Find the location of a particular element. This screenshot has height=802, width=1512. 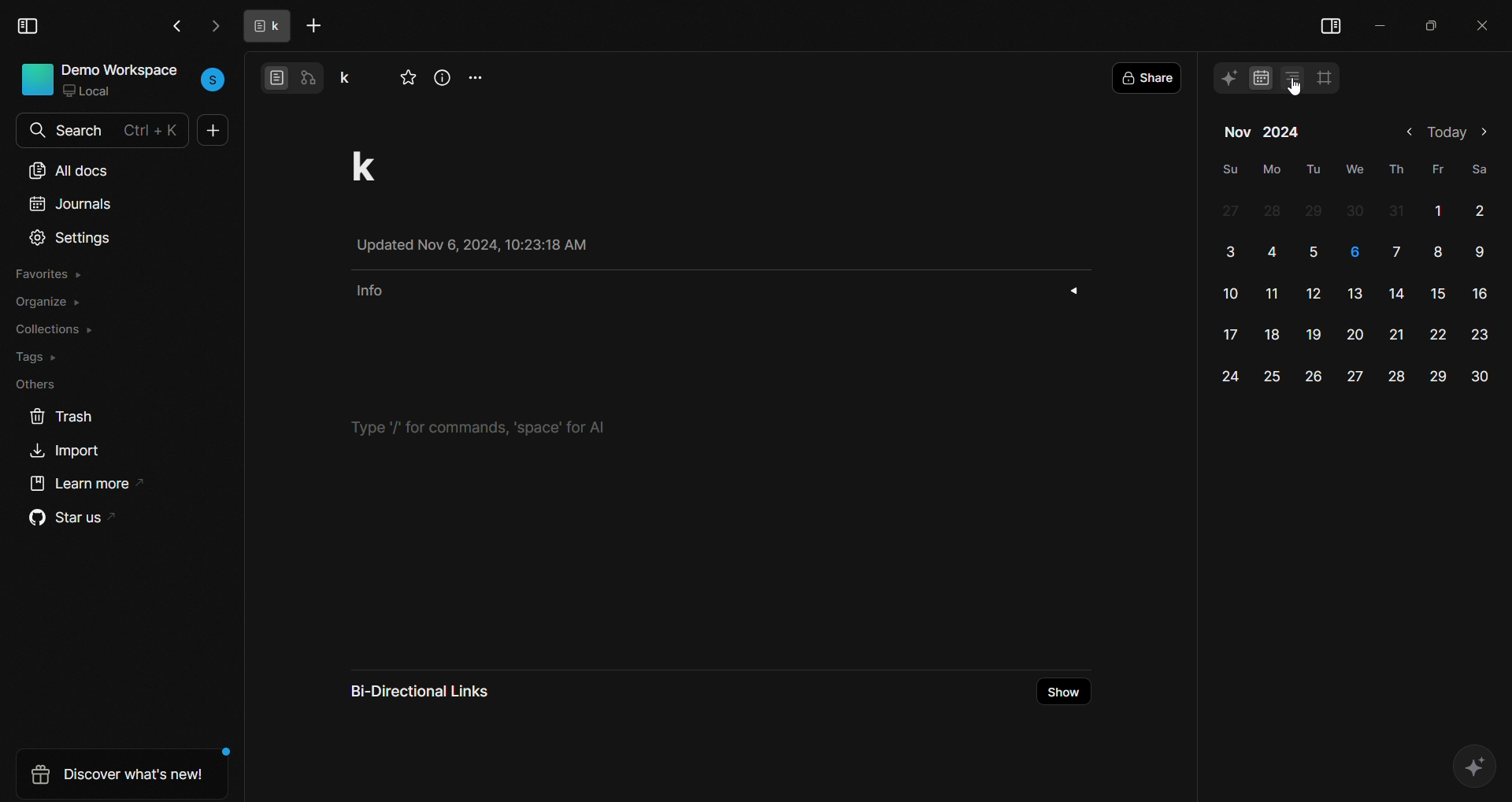

edgeless is located at coordinates (313, 76).